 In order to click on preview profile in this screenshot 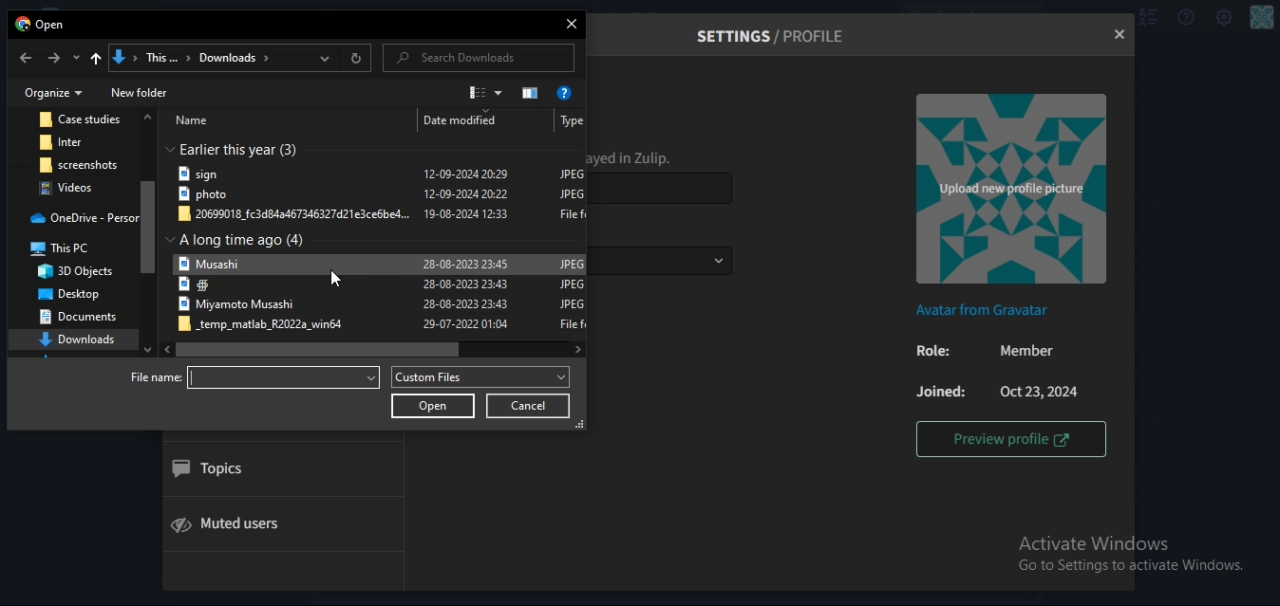, I will do `click(1011, 438)`.